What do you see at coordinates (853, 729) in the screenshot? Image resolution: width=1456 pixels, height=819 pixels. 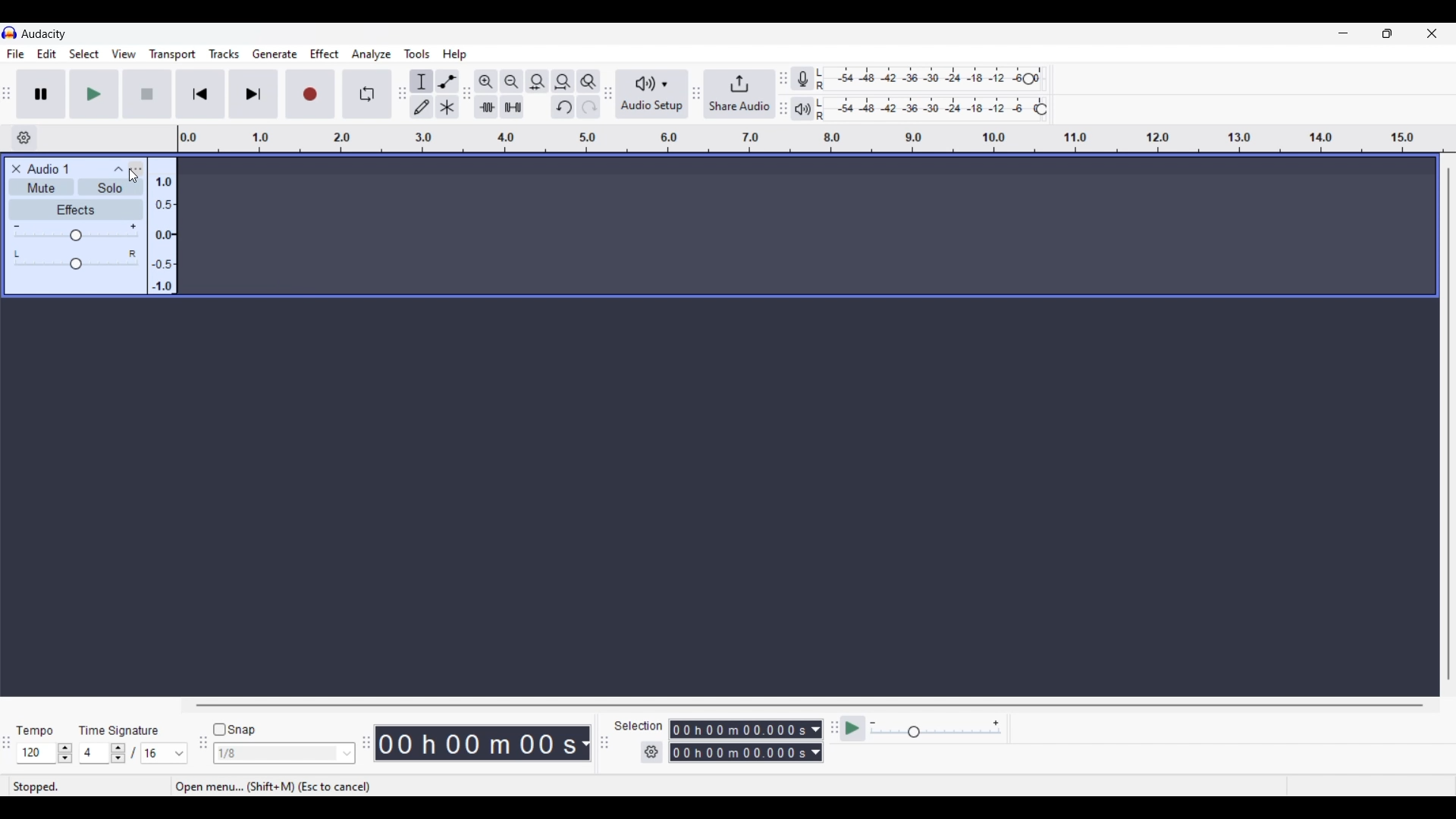 I see `Play-at-speed/Play-at-speed oncce` at bounding box center [853, 729].